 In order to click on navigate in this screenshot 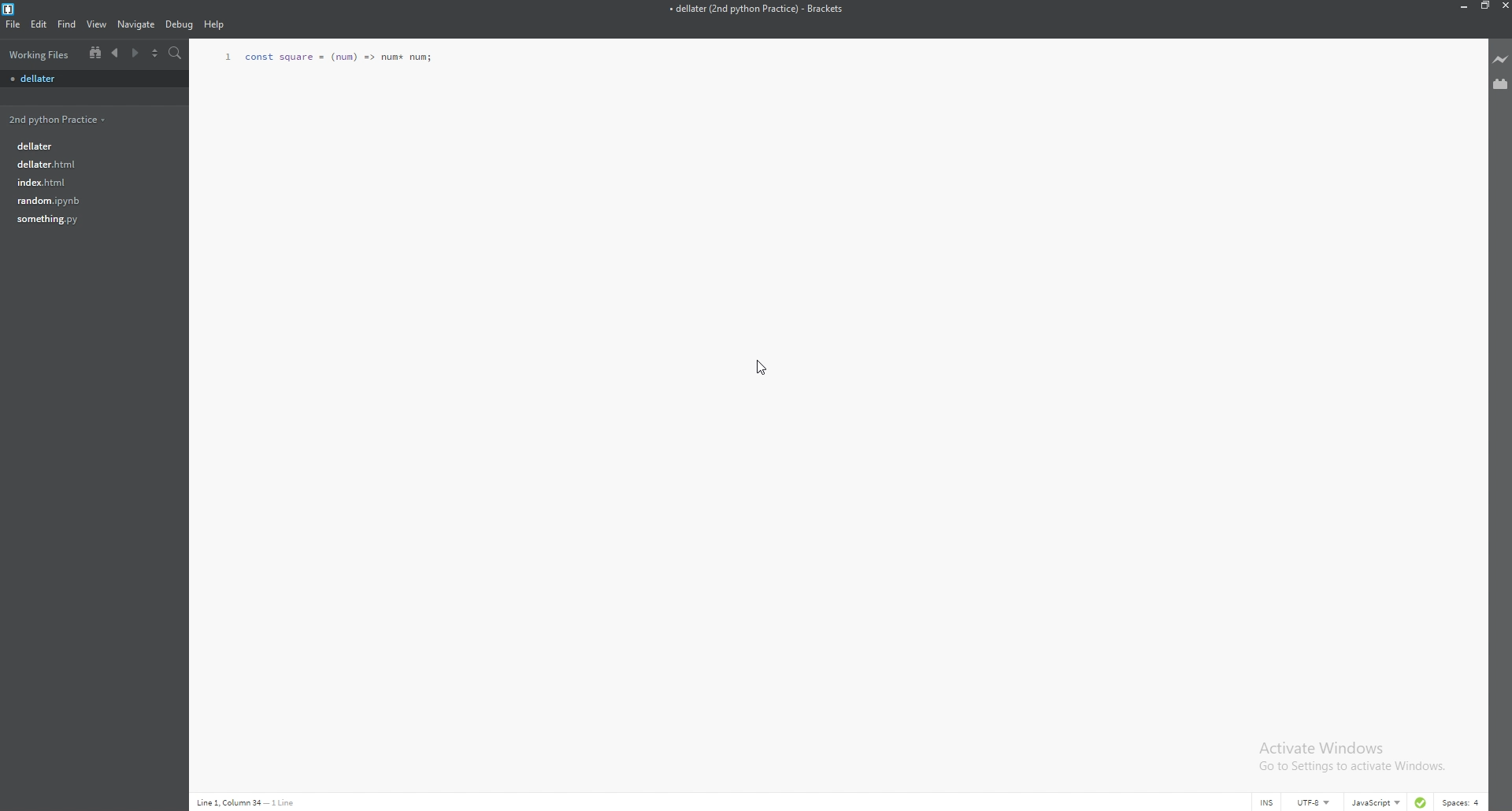, I will do `click(136, 24)`.